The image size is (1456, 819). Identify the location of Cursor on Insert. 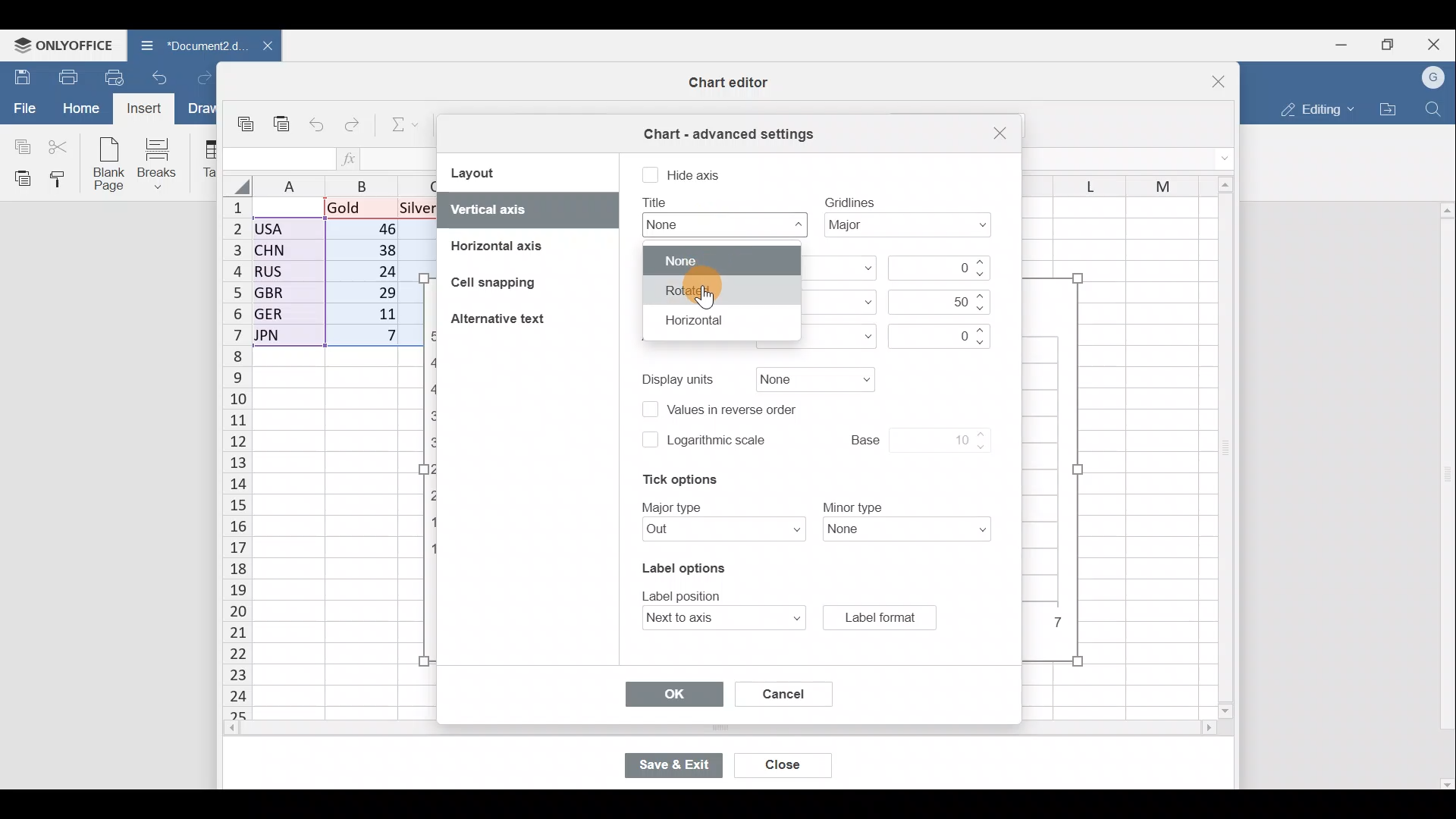
(147, 110).